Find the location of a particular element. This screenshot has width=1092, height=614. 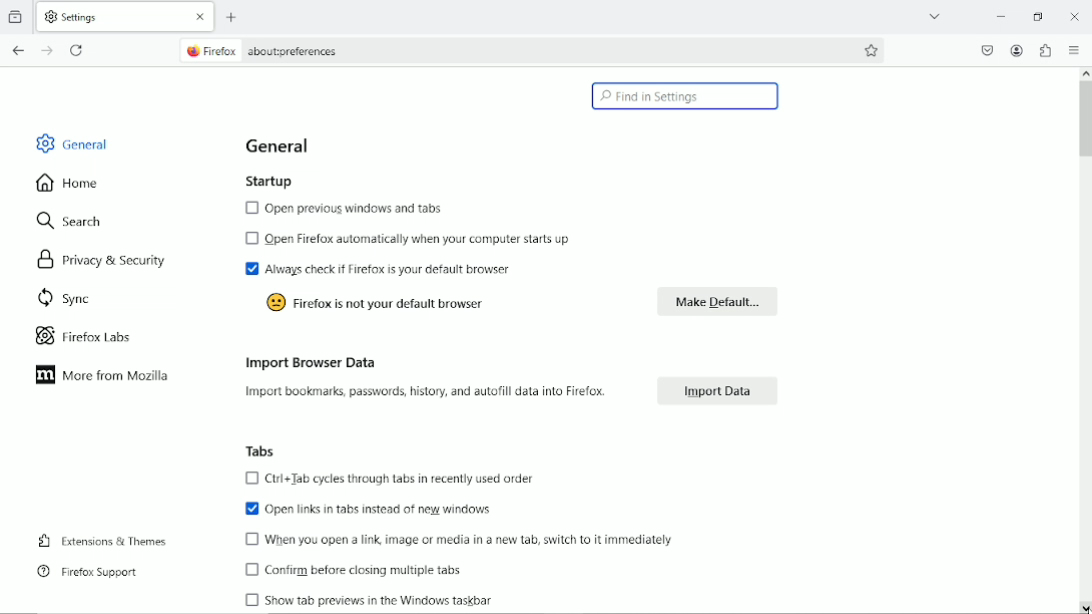

Go back is located at coordinates (18, 49).